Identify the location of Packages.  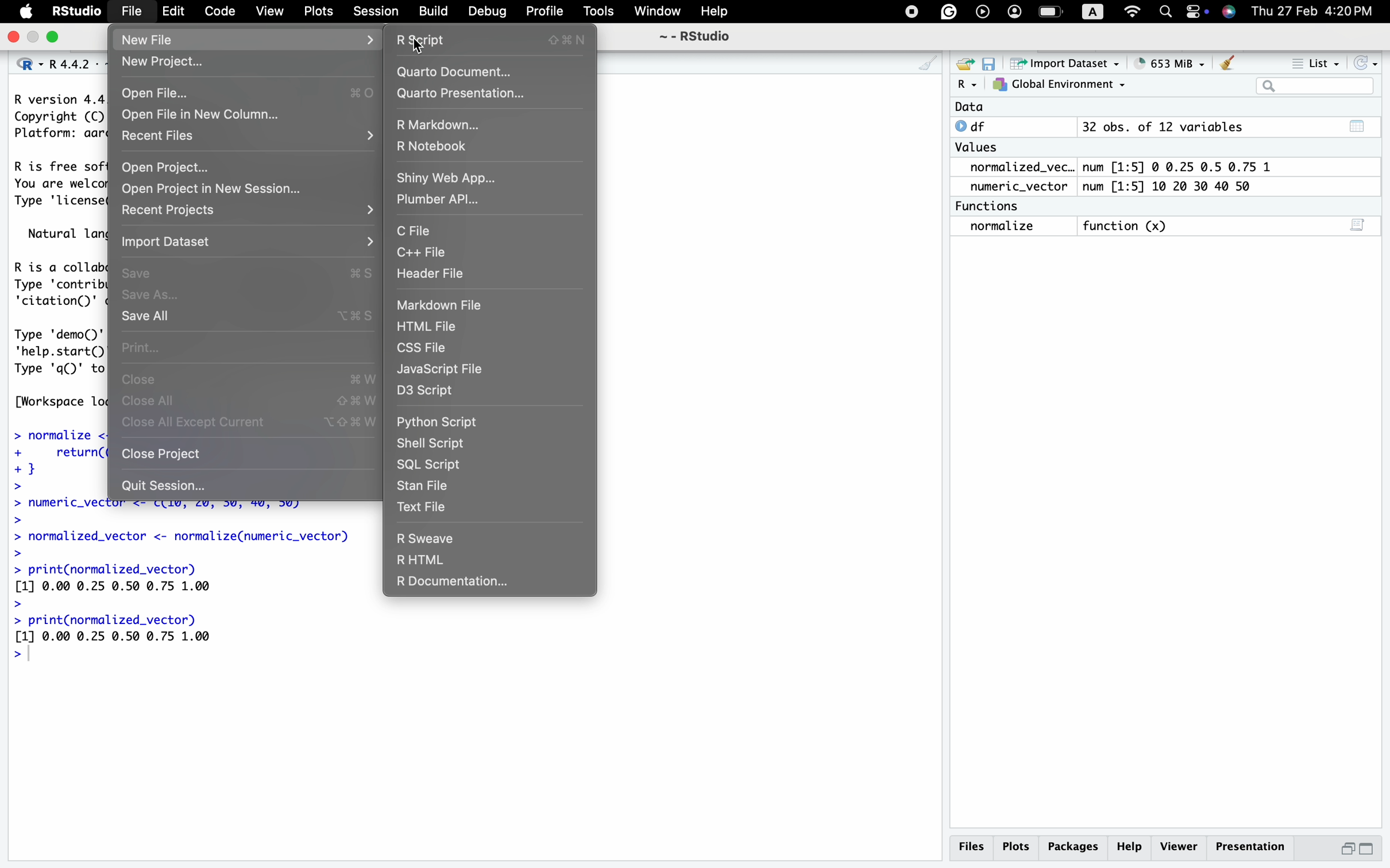
(1075, 846).